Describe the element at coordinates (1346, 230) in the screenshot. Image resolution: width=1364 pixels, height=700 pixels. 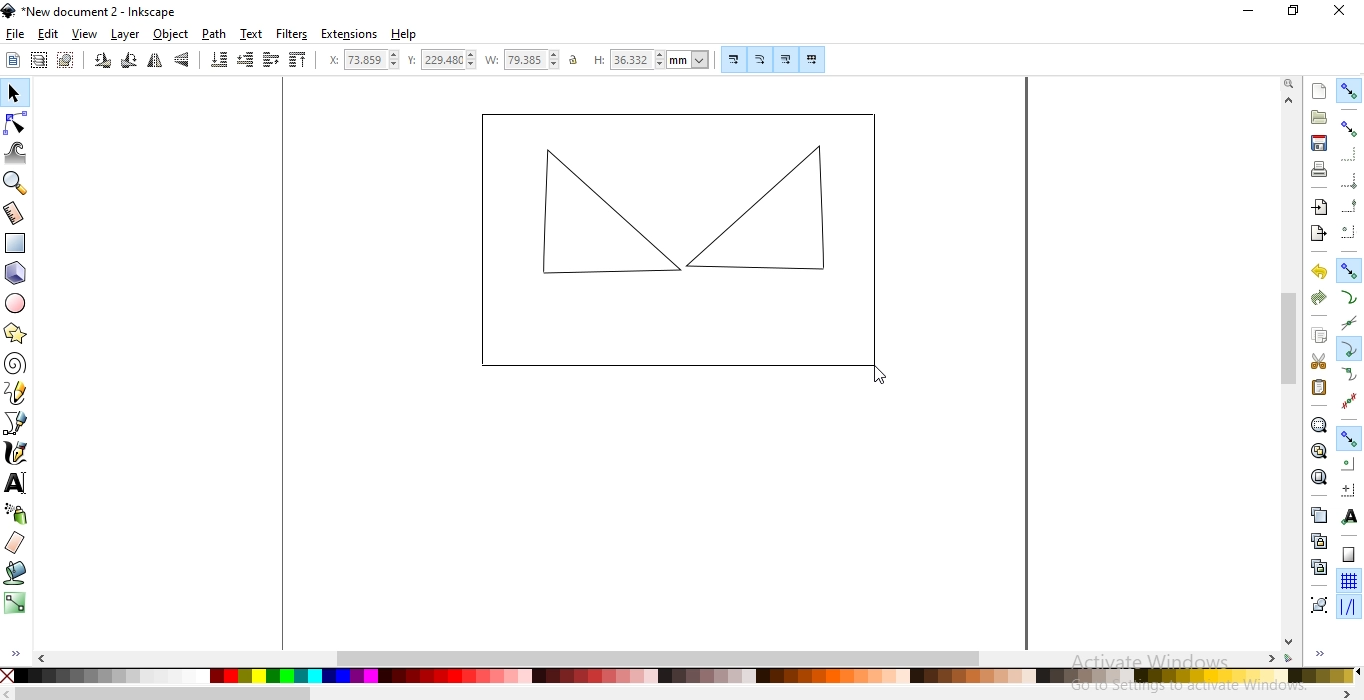
I see `snapping centers of bounding boxes` at that location.